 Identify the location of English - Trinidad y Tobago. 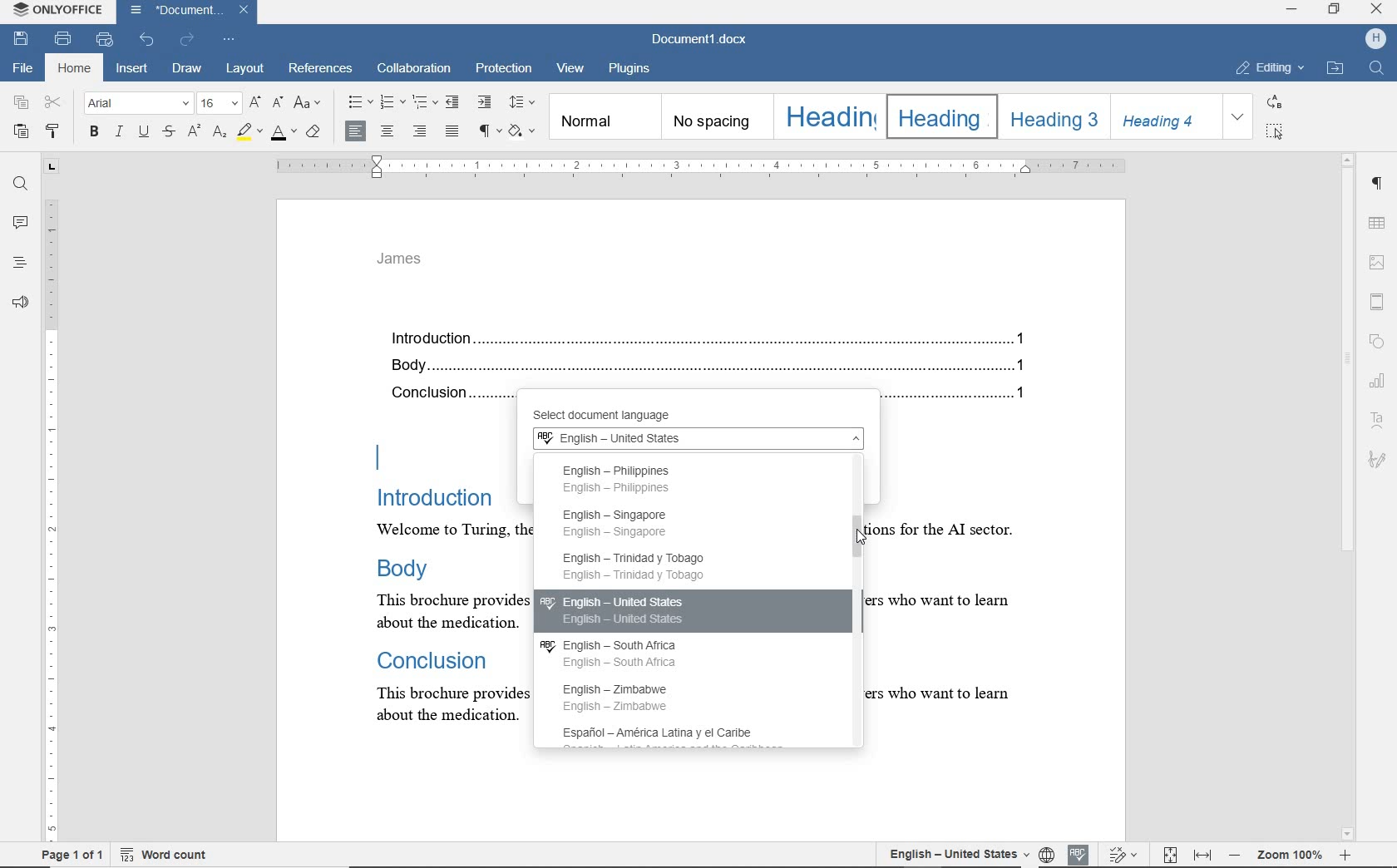
(630, 566).